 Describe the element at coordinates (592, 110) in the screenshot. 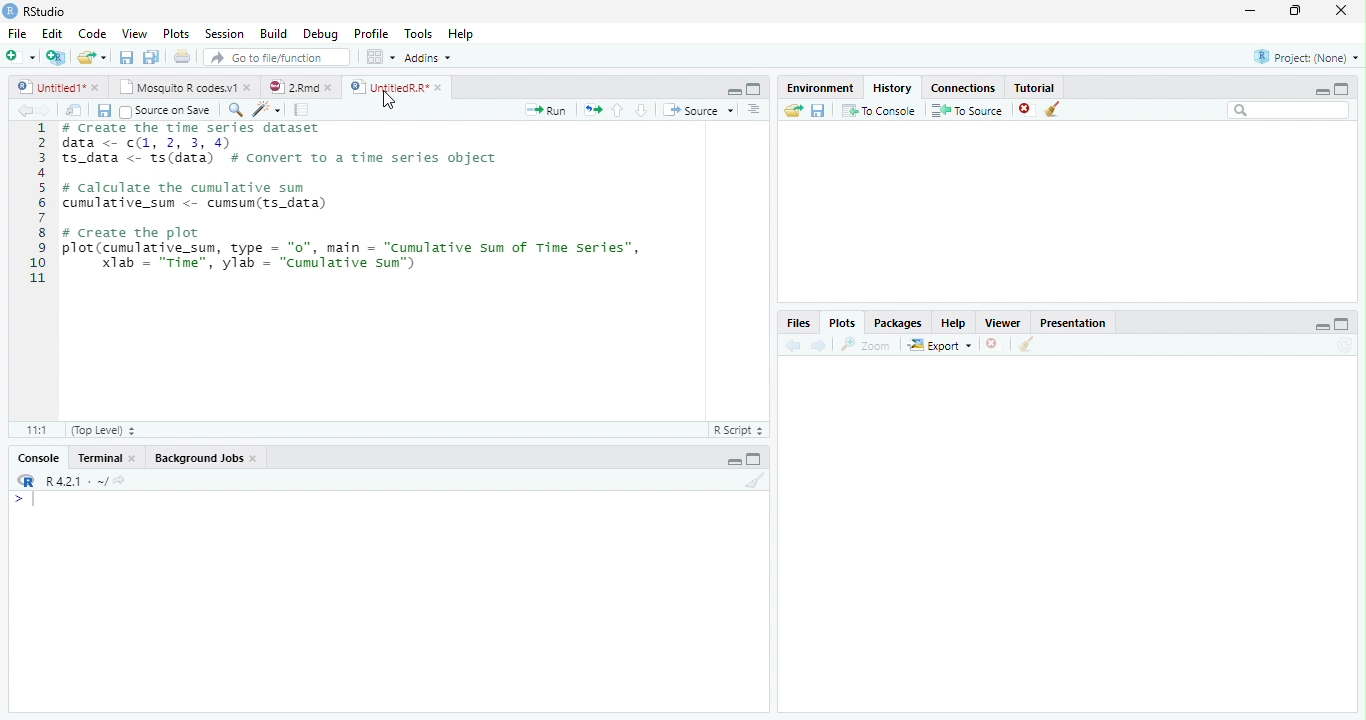

I see `Files` at that location.